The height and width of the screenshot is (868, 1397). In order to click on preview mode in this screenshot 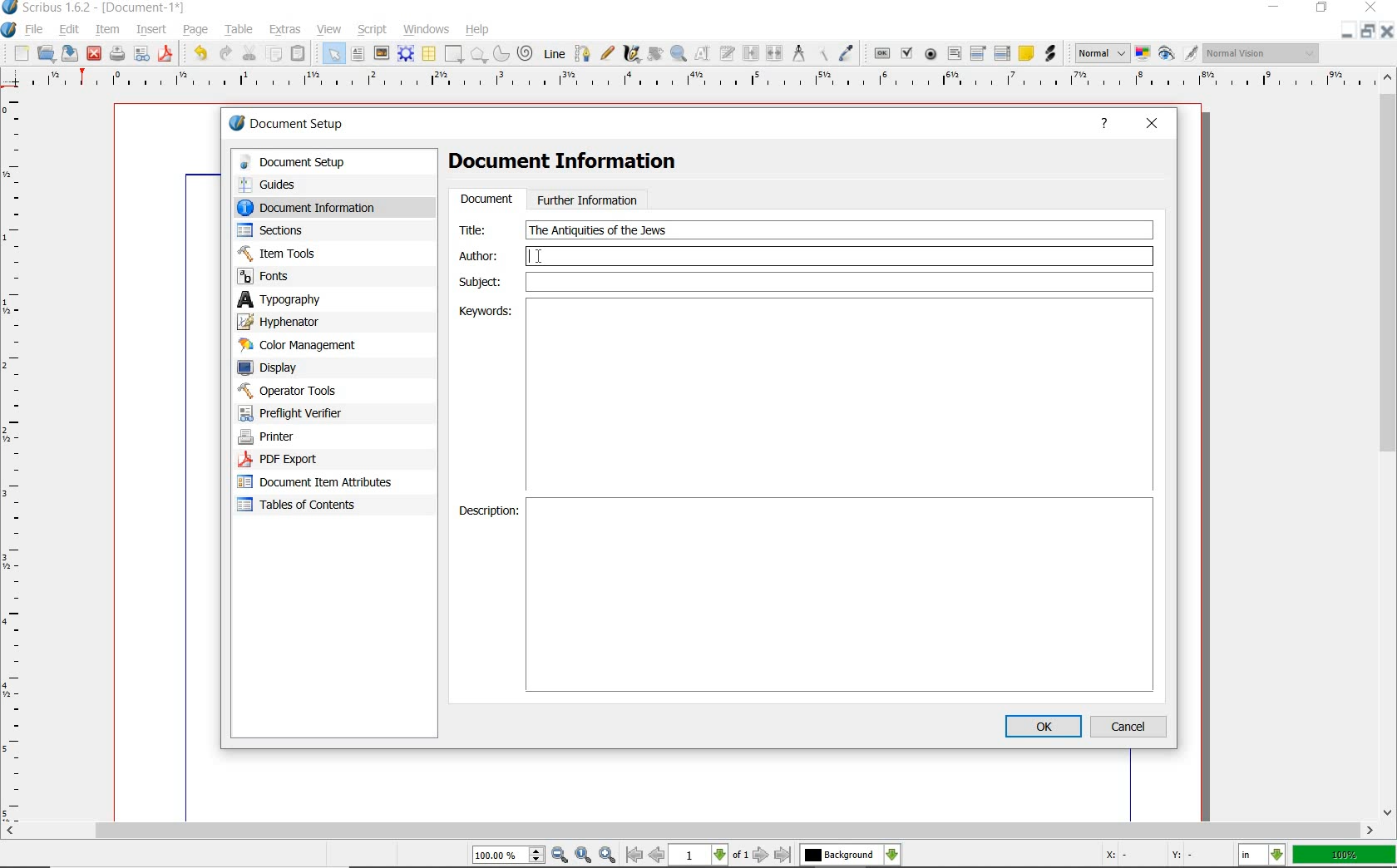, I will do `click(1179, 54)`.